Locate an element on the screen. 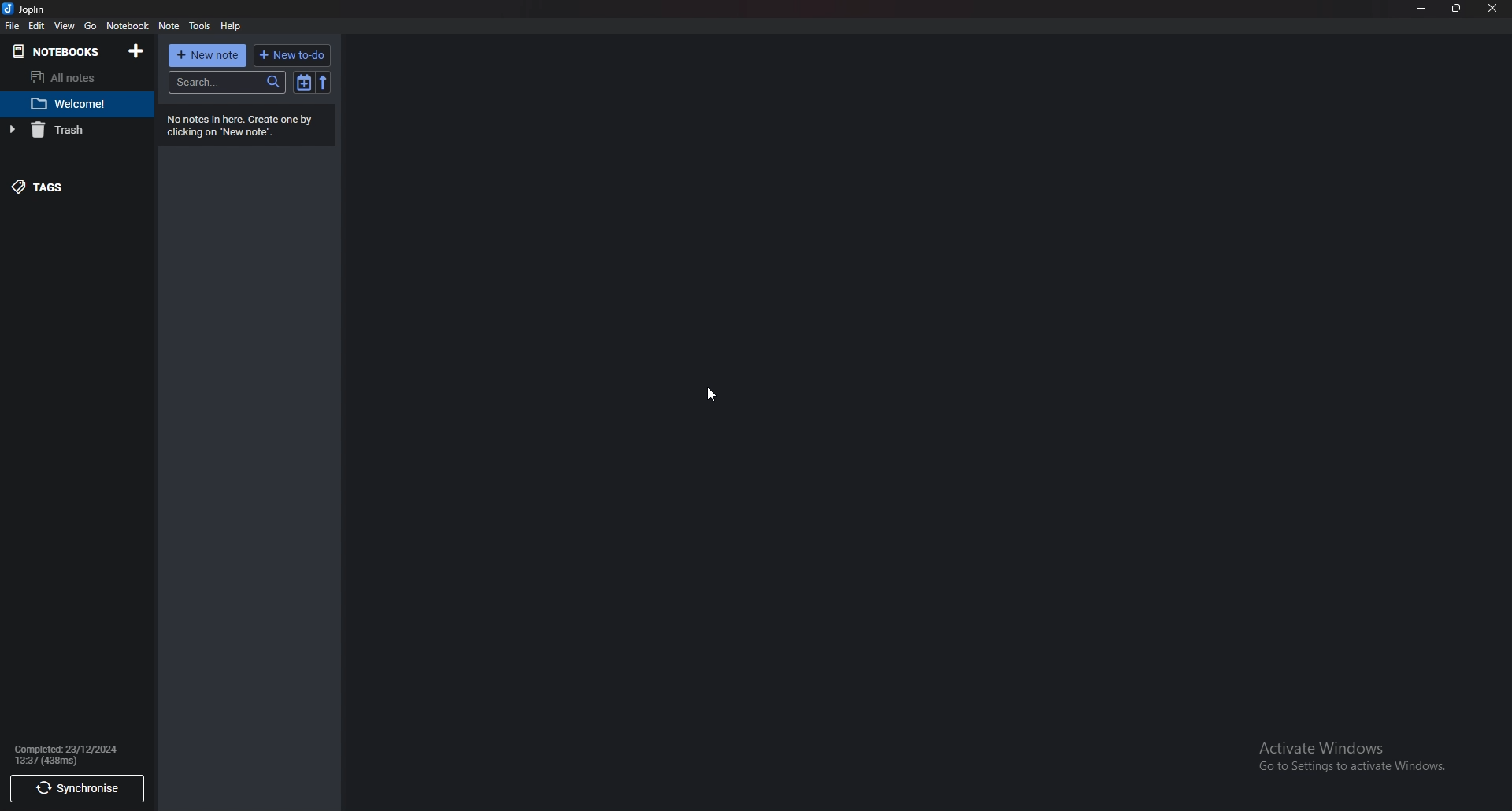 This screenshot has width=1512, height=811. note is located at coordinates (169, 25).